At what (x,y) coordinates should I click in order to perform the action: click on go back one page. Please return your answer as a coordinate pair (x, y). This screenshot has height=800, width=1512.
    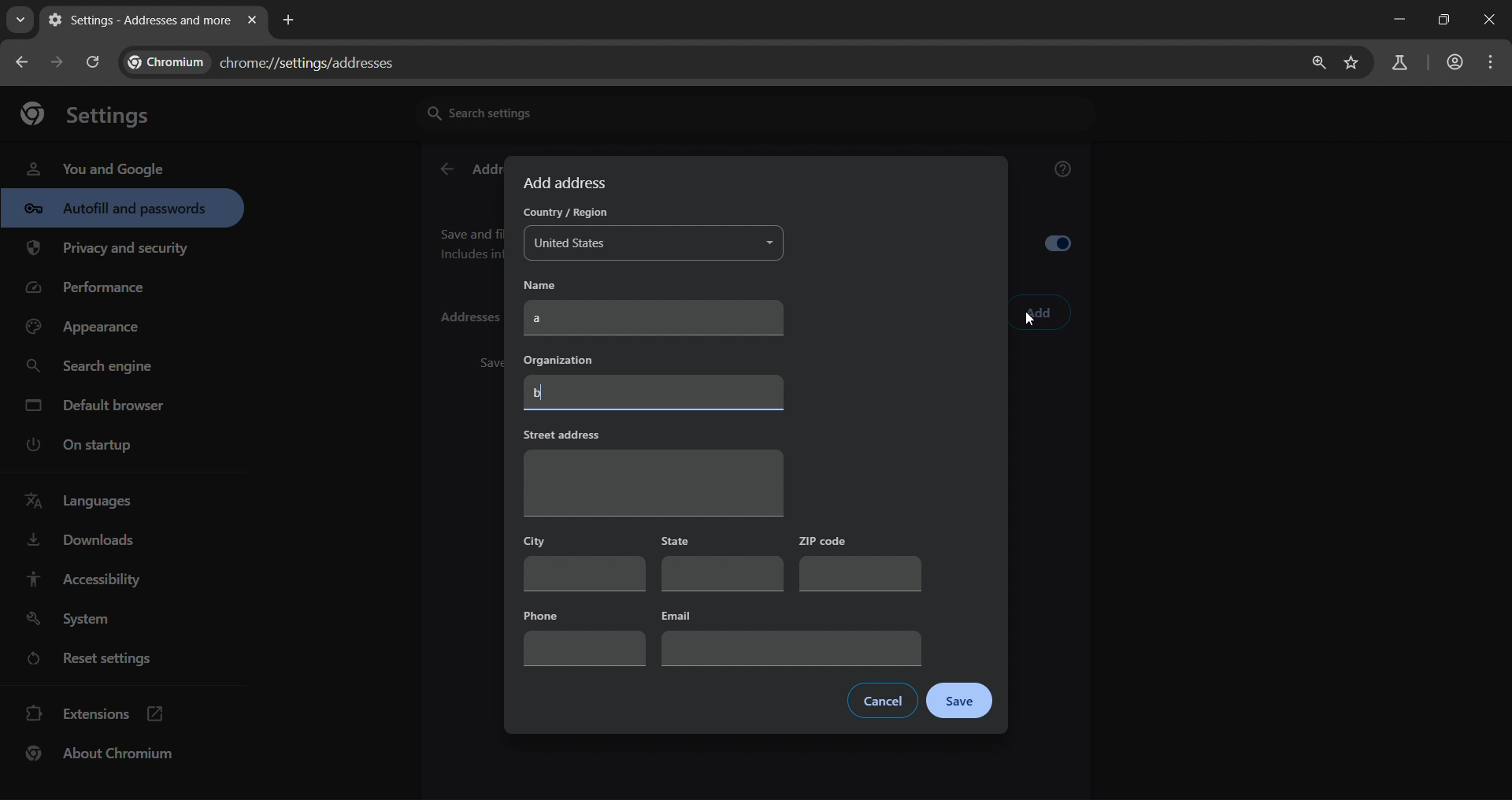
    Looking at the image, I should click on (24, 61).